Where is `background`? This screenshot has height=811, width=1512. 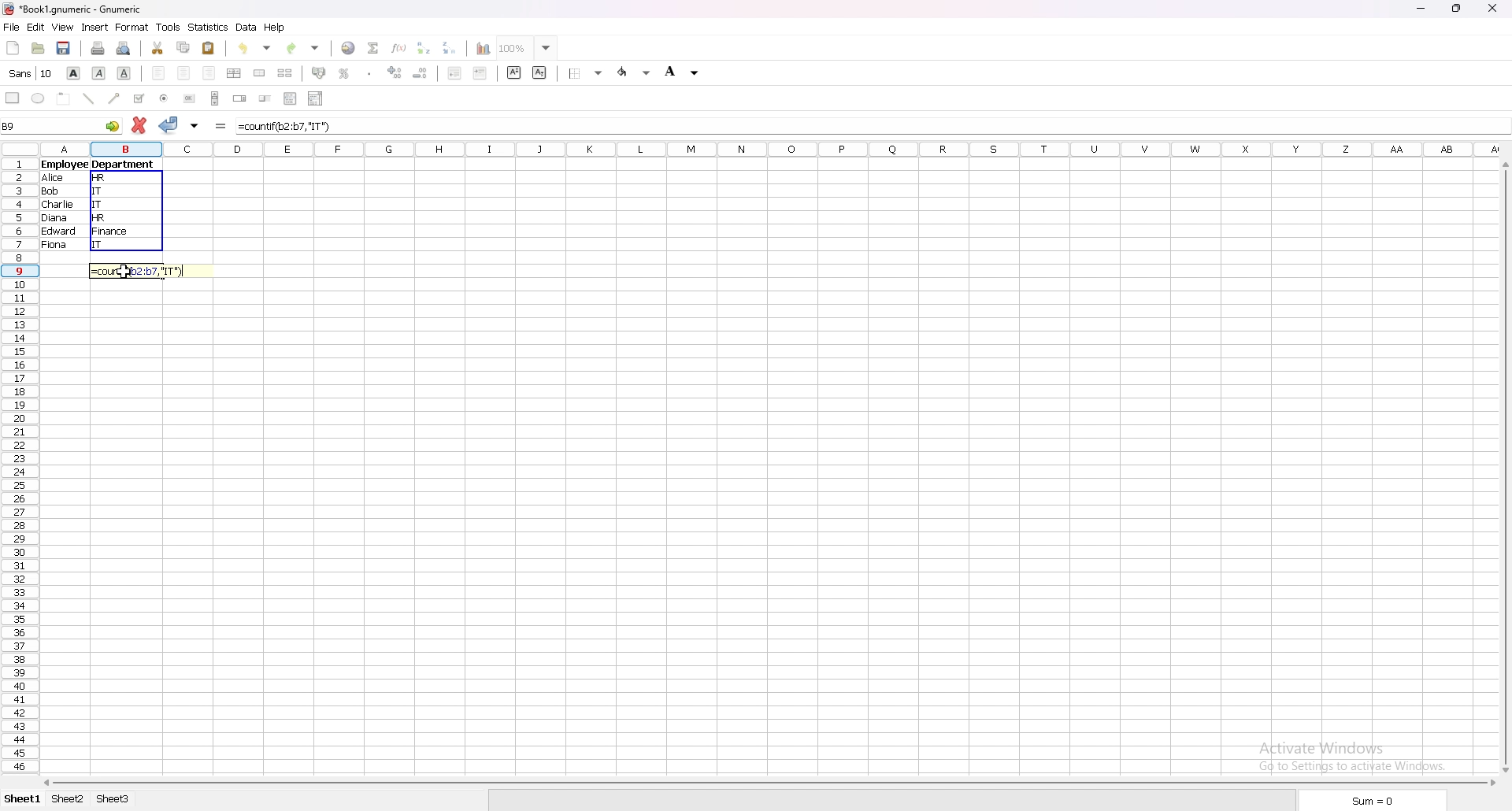 background is located at coordinates (682, 72).